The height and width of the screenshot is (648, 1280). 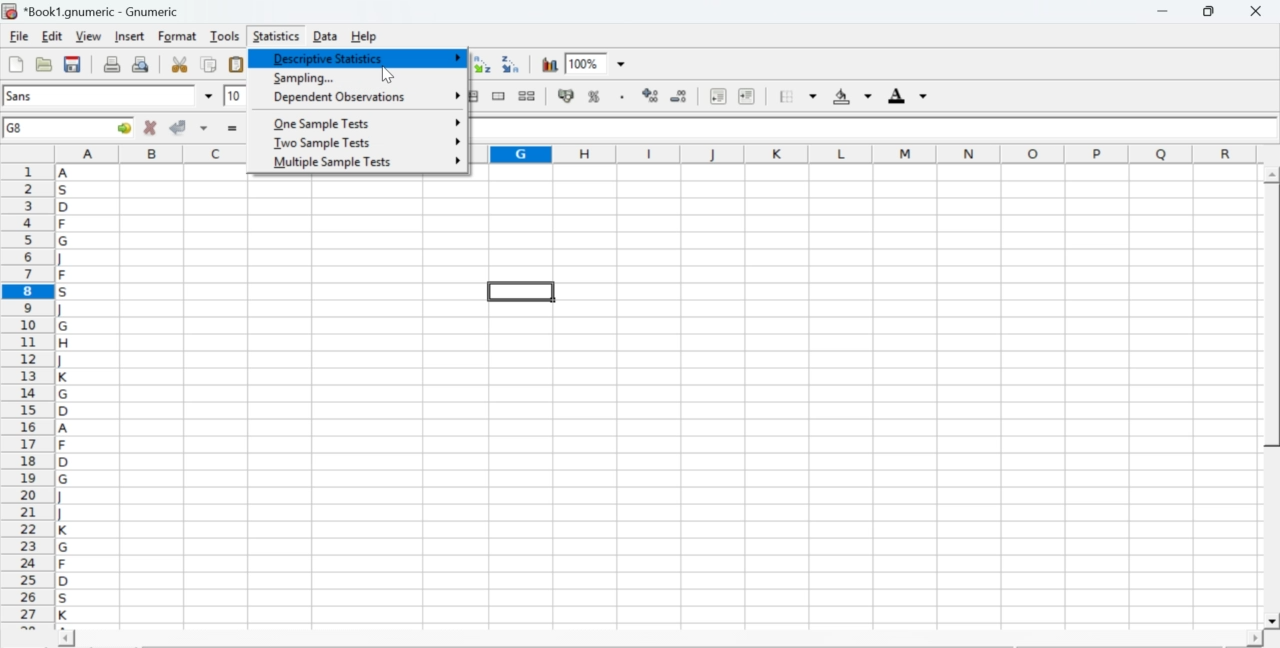 I want to click on more, so click(x=455, y=121).